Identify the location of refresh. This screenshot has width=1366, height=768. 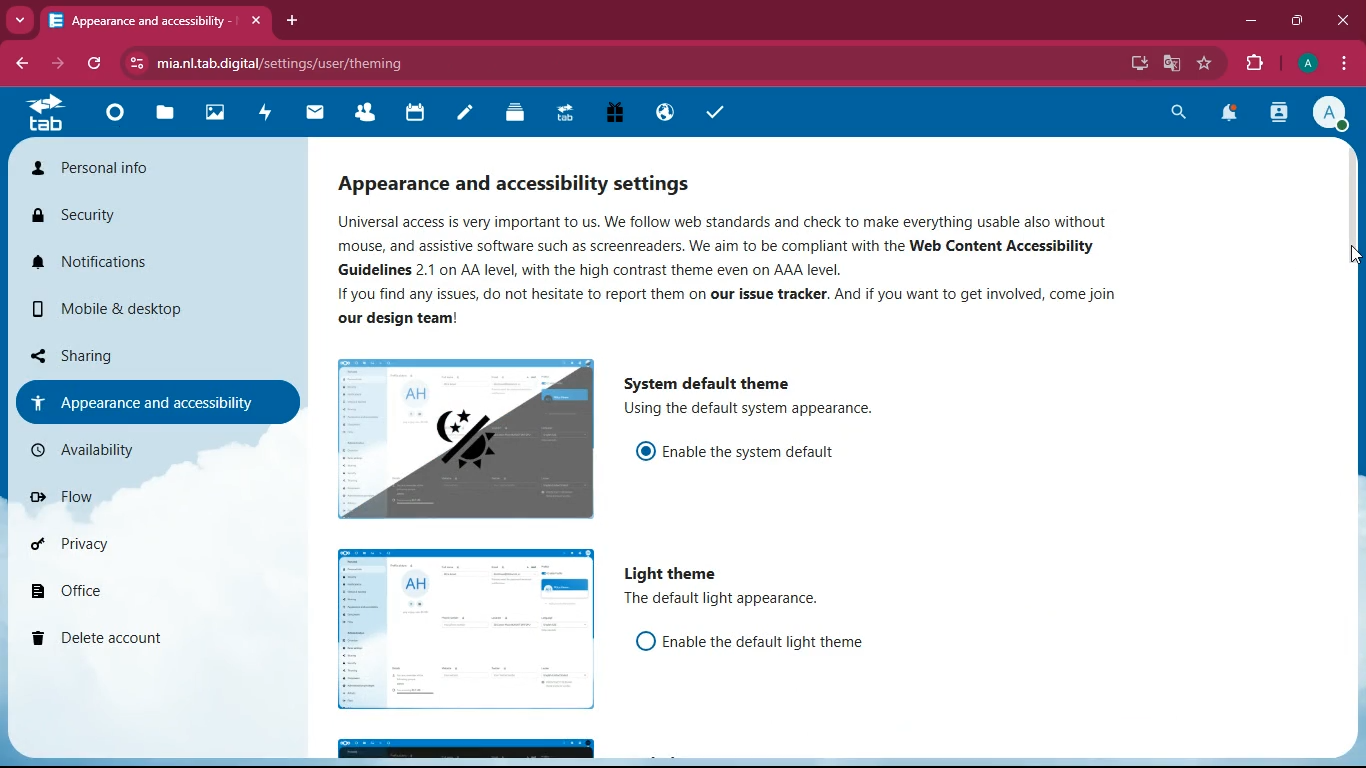
(98, 63).